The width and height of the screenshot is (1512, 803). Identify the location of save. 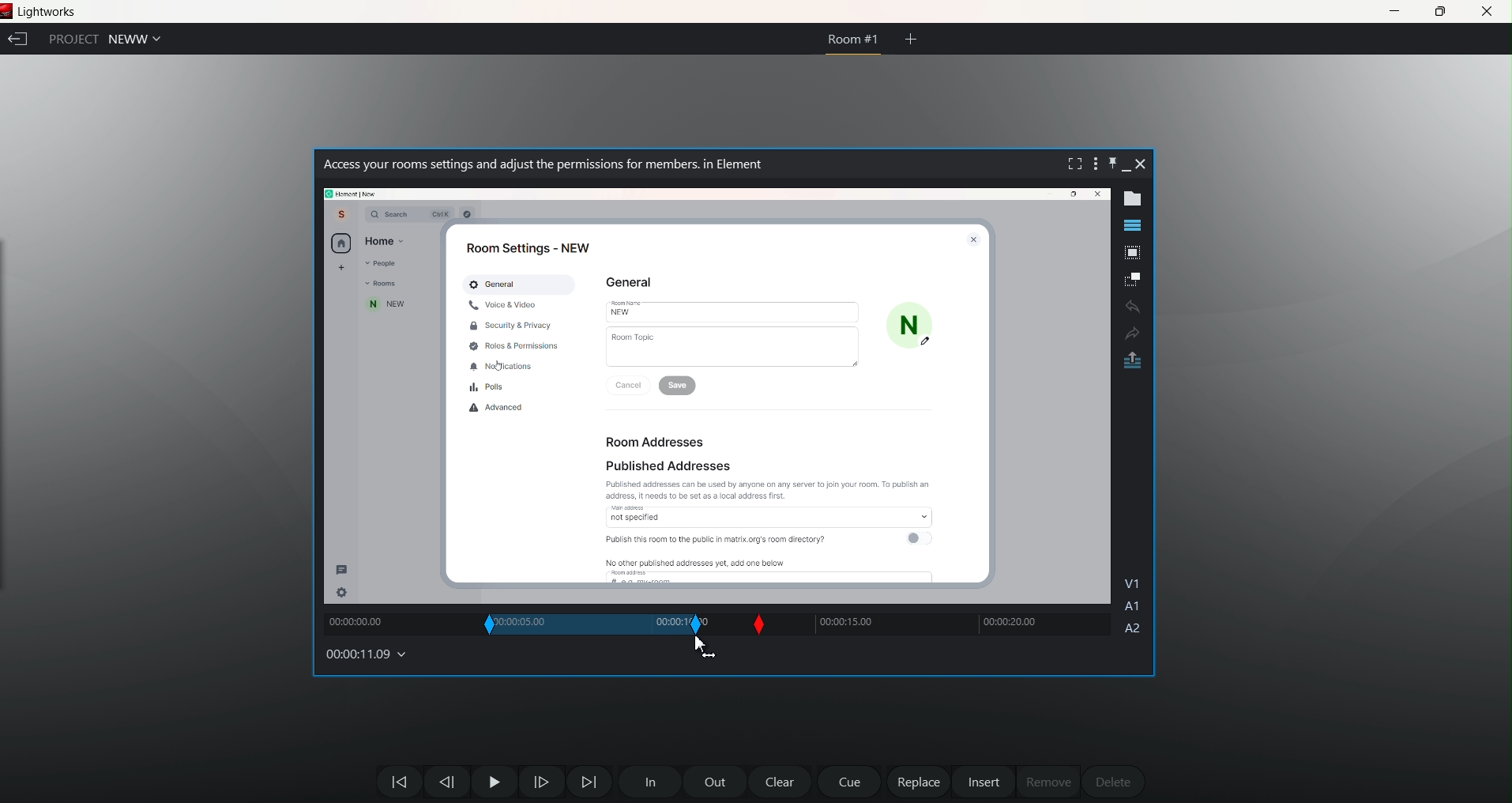
(682, 386).